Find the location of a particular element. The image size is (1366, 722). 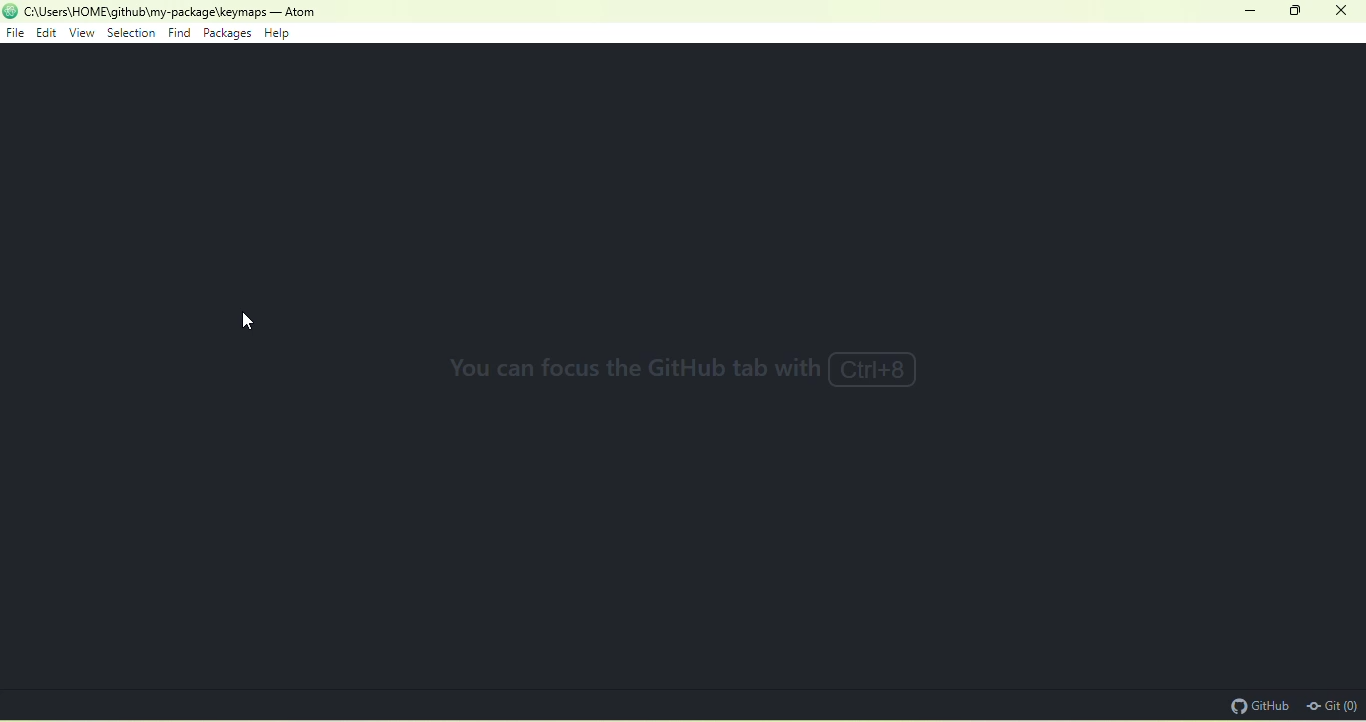

minimize is located at coordinates (1249, 11).